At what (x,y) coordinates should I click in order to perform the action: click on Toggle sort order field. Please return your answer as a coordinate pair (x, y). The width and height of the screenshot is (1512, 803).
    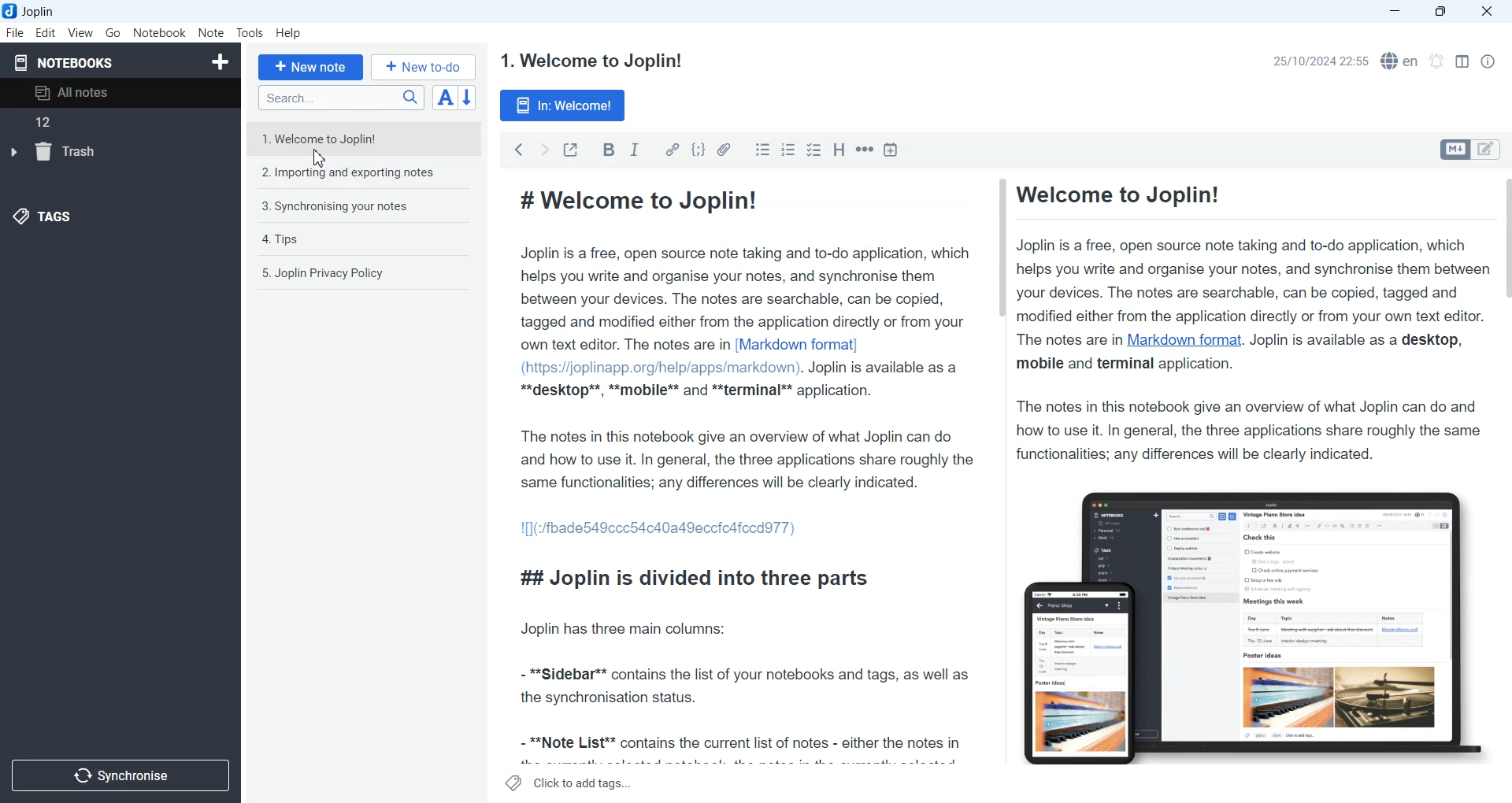
    Looking at the image, I should click on (445, 97).